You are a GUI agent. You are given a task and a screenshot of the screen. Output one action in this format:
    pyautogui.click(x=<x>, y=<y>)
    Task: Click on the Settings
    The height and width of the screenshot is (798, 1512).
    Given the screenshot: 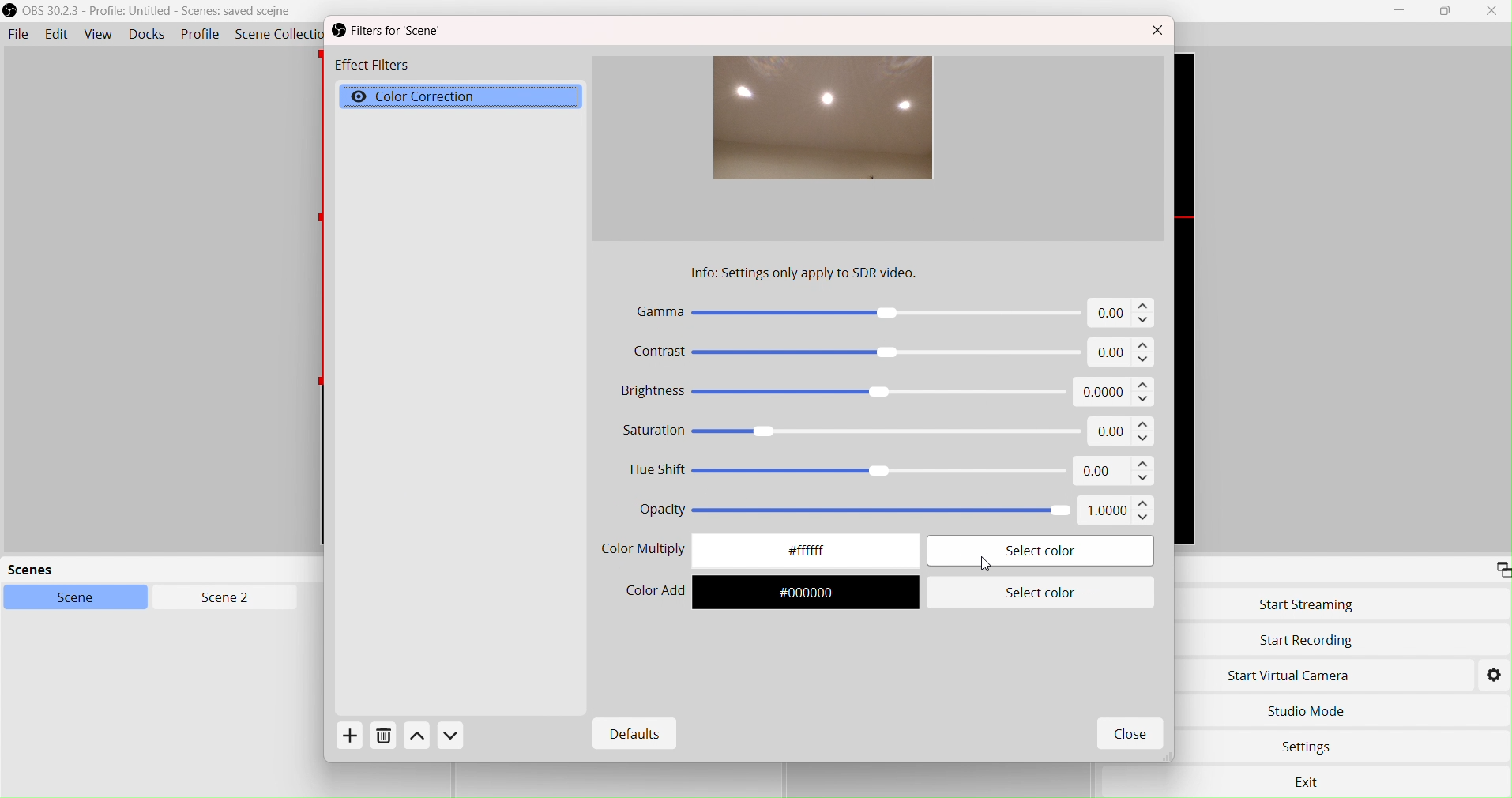 What is the action you would take?
    pyautogui.click(x=1310, y=749)
    